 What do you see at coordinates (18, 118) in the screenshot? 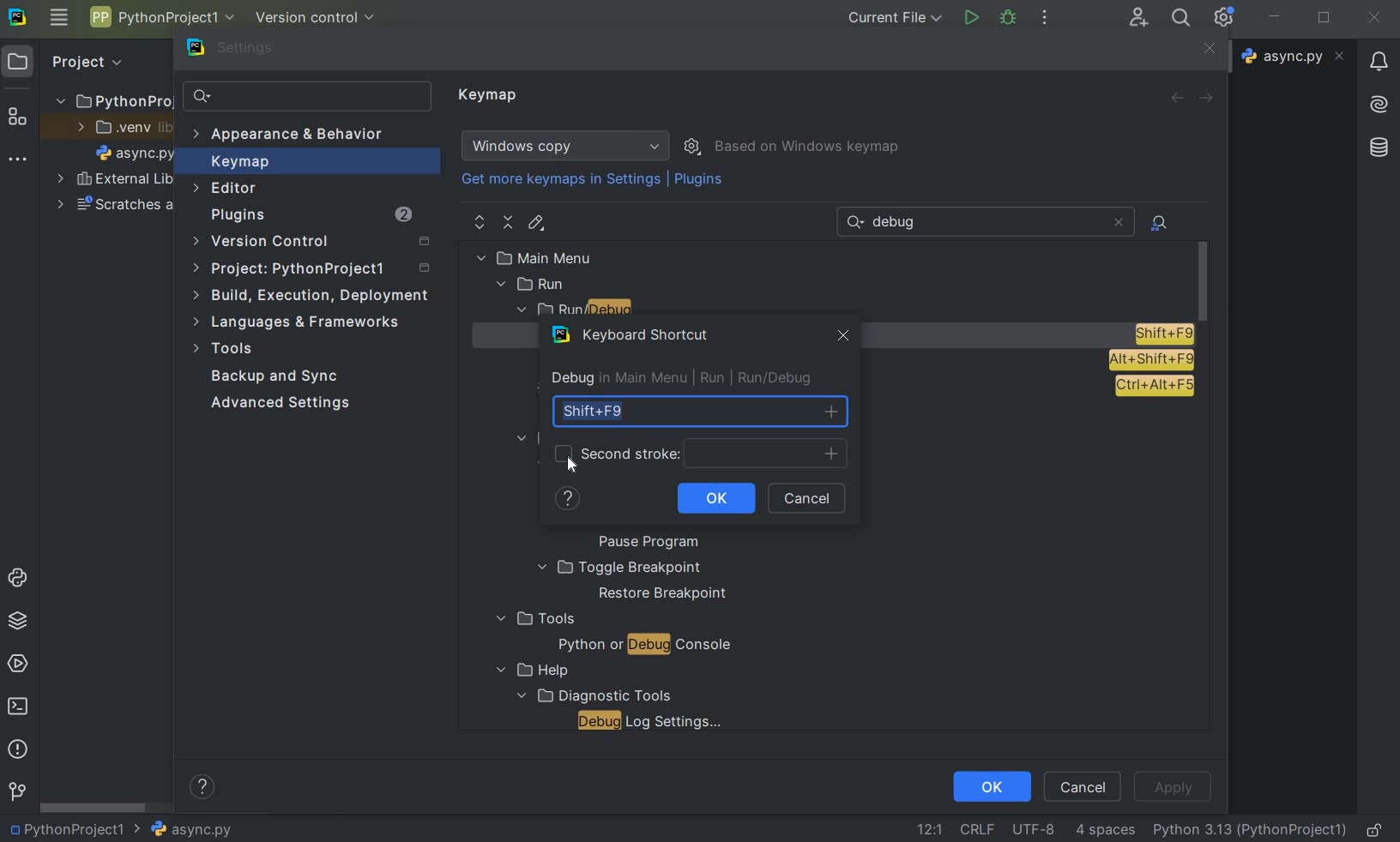
I see `structure` at bounding box center [18, 118].